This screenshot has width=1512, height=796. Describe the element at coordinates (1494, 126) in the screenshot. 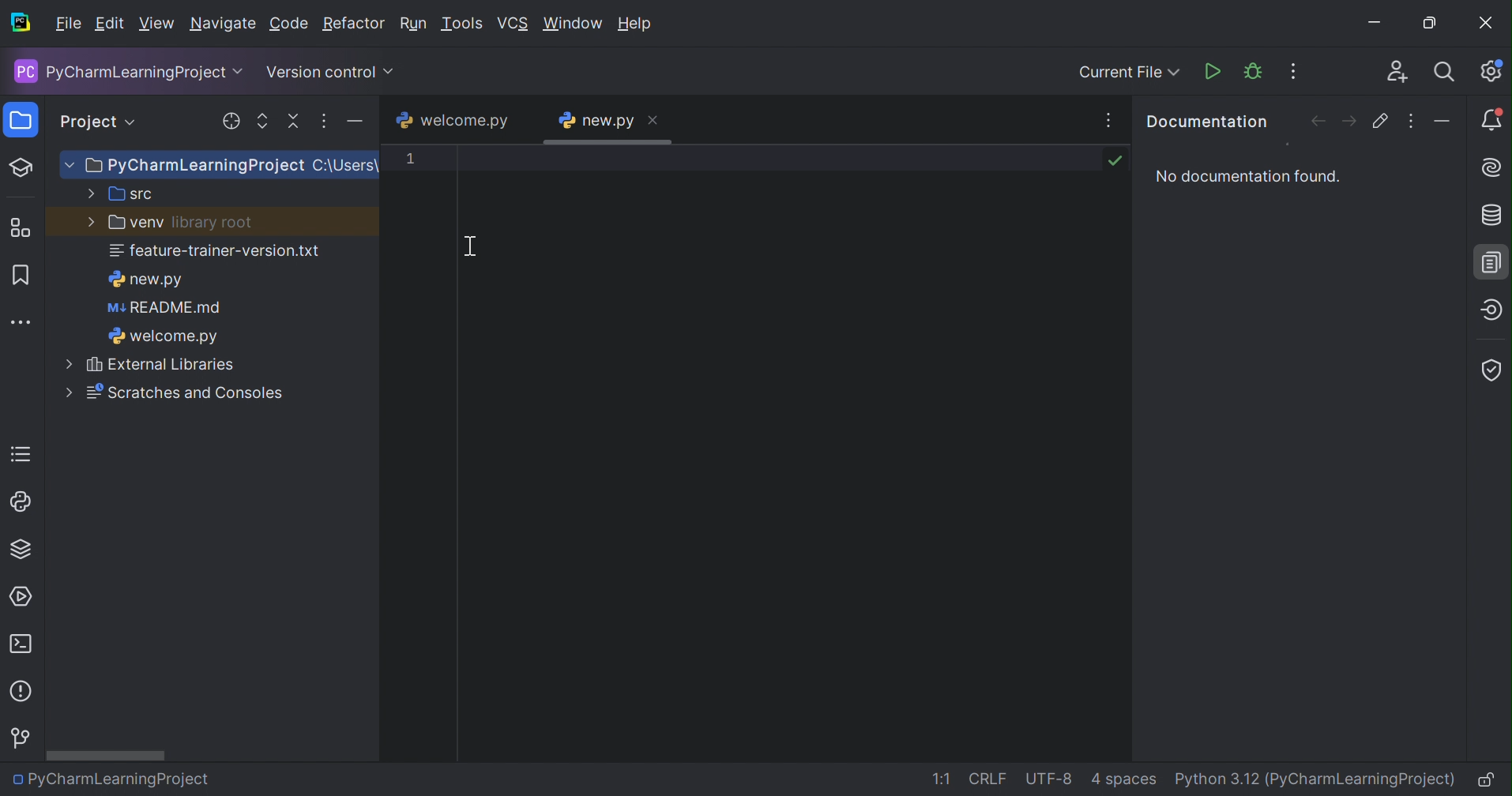

I see `Notifications` at that location.